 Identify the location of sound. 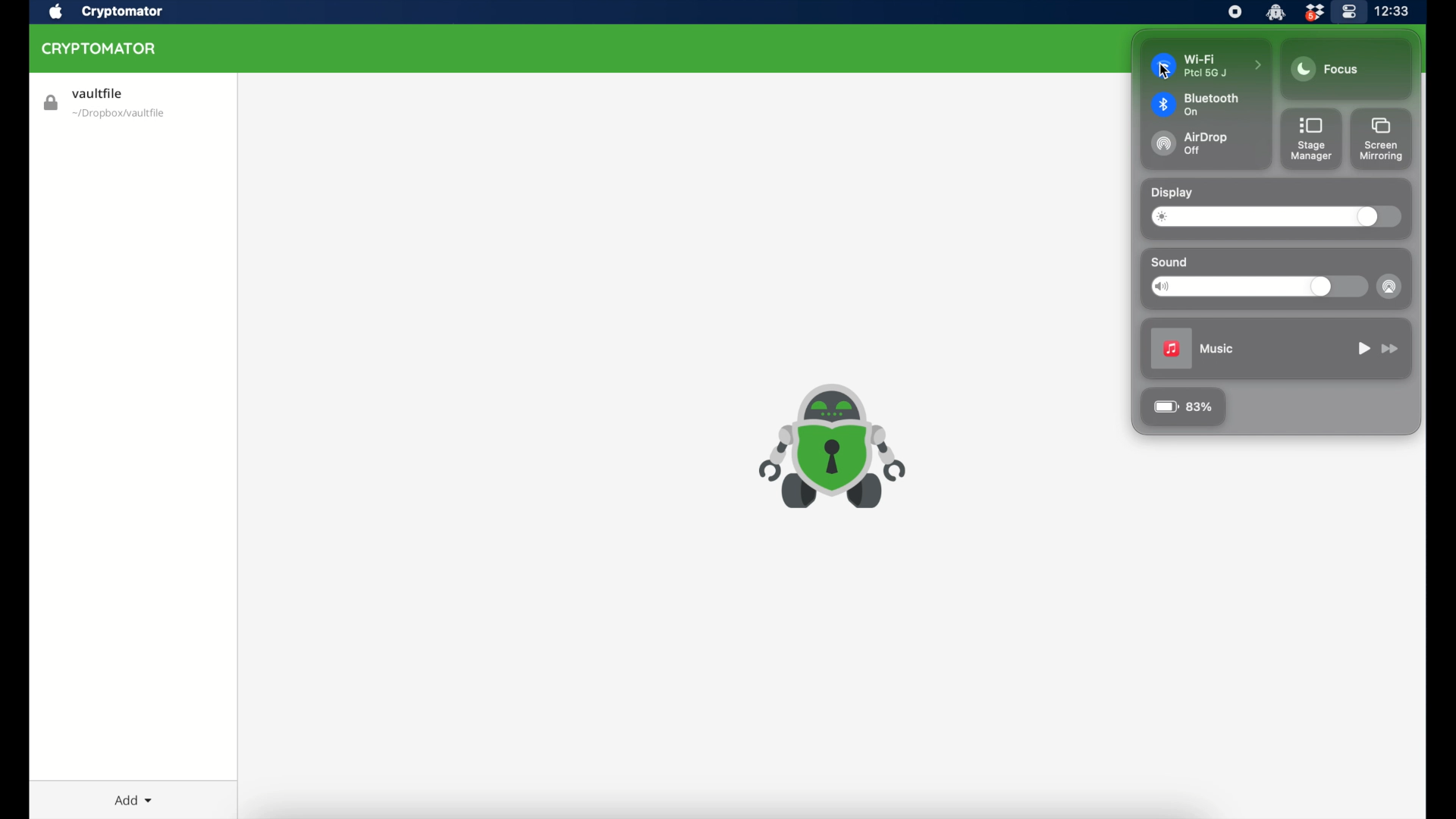
(1276, 281).